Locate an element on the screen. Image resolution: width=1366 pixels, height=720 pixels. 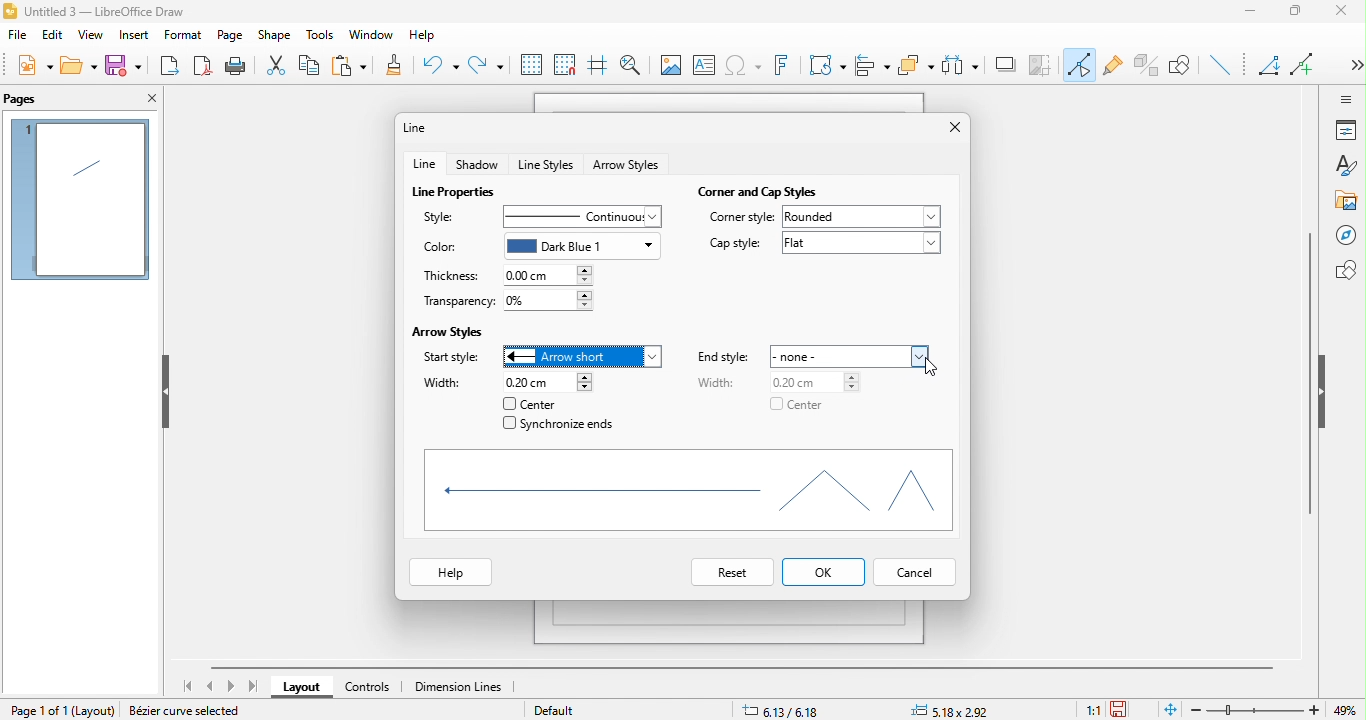
end style is located at coordinates (728, 357).